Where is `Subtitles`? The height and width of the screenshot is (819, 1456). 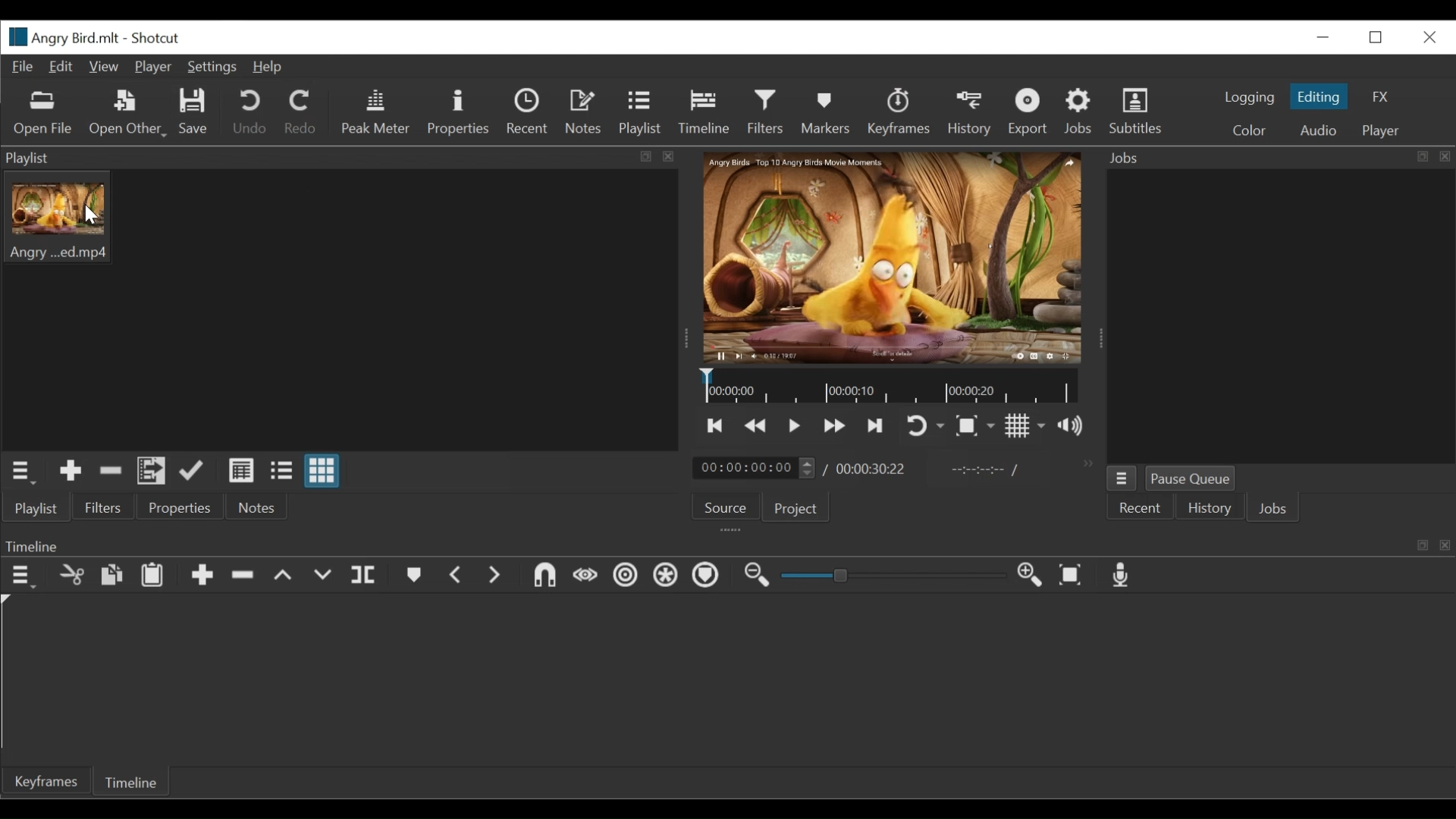
Subtitles is located at coordinates (1141, 110).